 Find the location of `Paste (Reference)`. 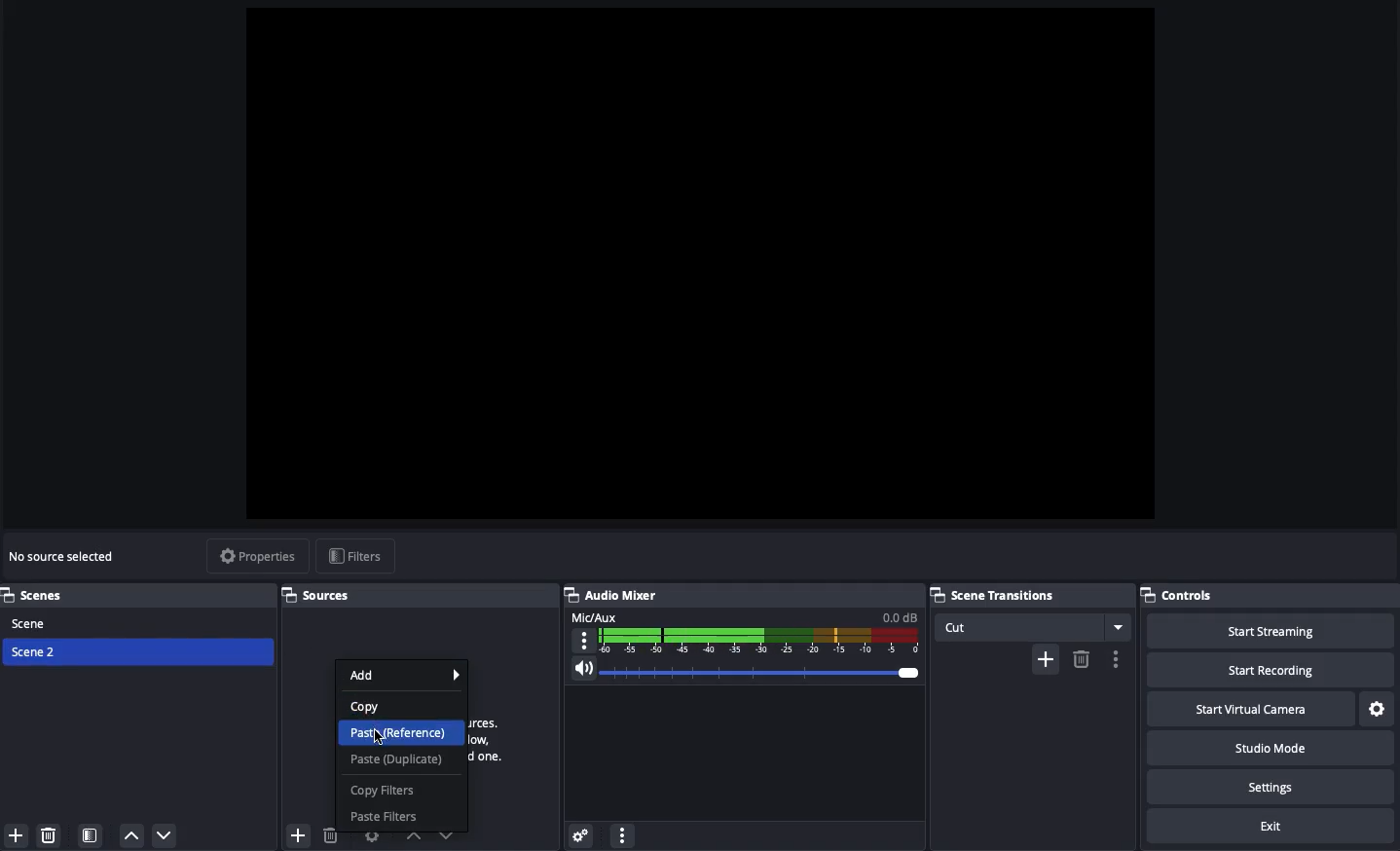

Paste (Reference) is located at coordinates (403, 734).